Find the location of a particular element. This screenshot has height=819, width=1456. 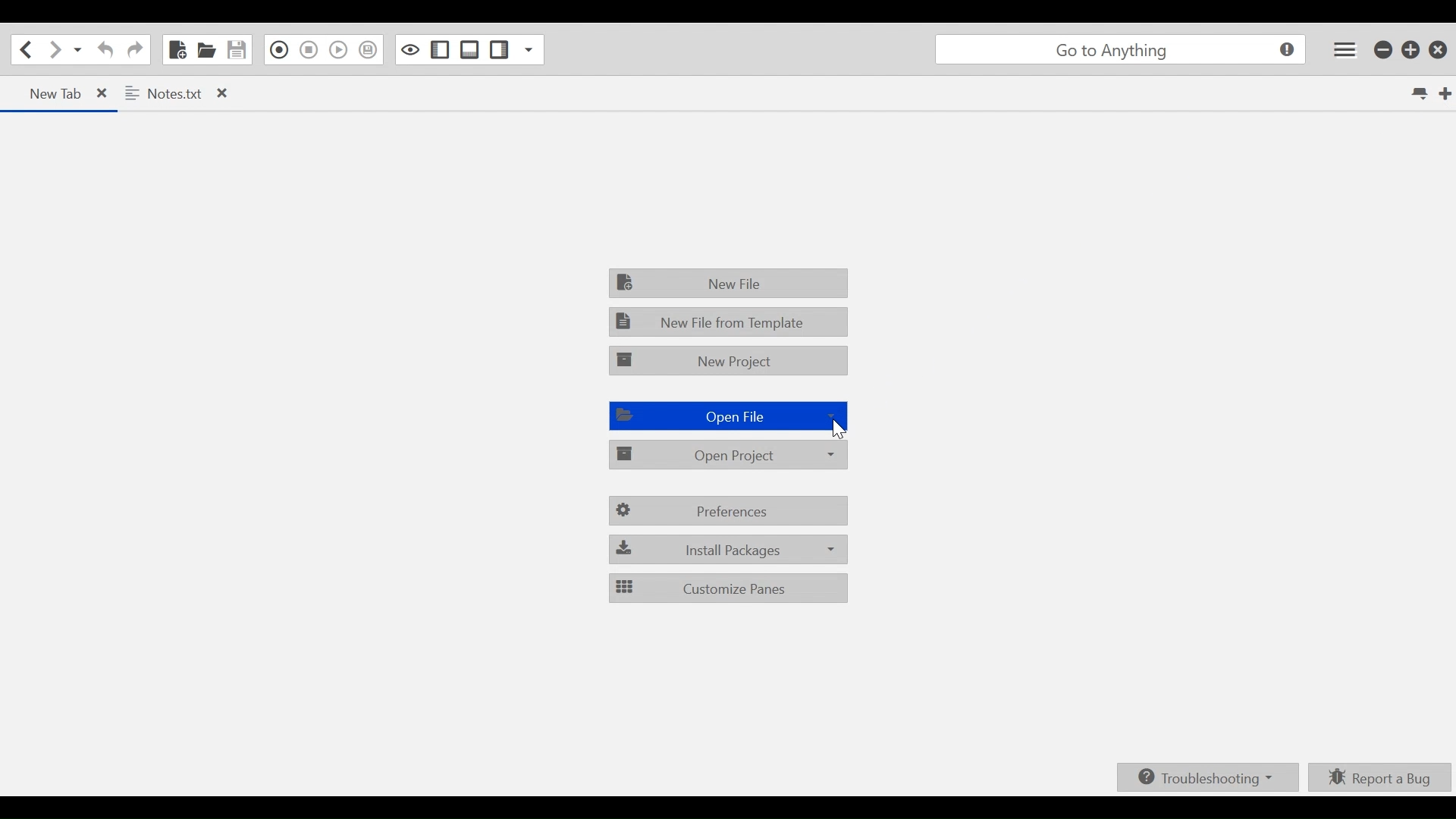

Show/ide Bottom Sidebar is located at coordinates (467, 49).